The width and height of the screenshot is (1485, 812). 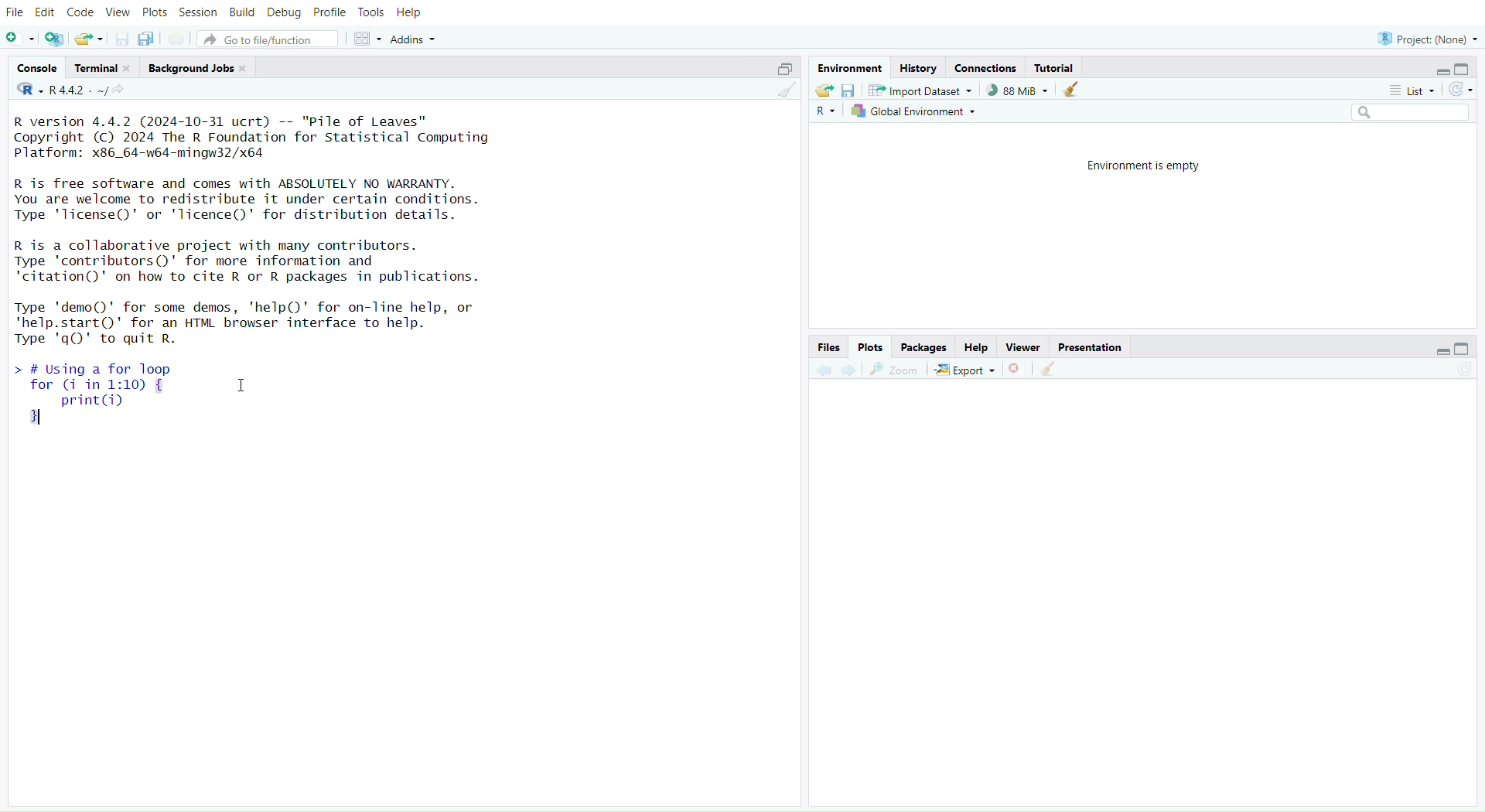 I want to click on save workspace, so click(x=851, y=91).